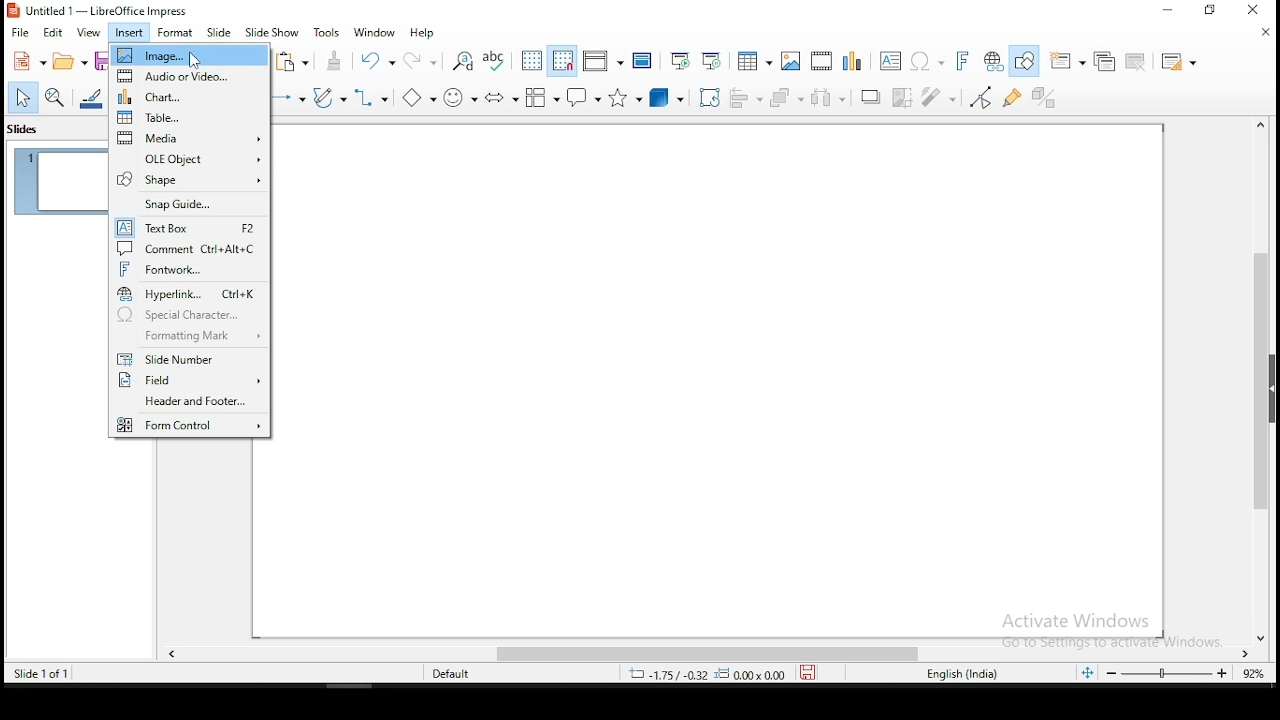 Image resolution: width=1280 pixels, height=720 pixels. I want to click on , so click(502, 97).